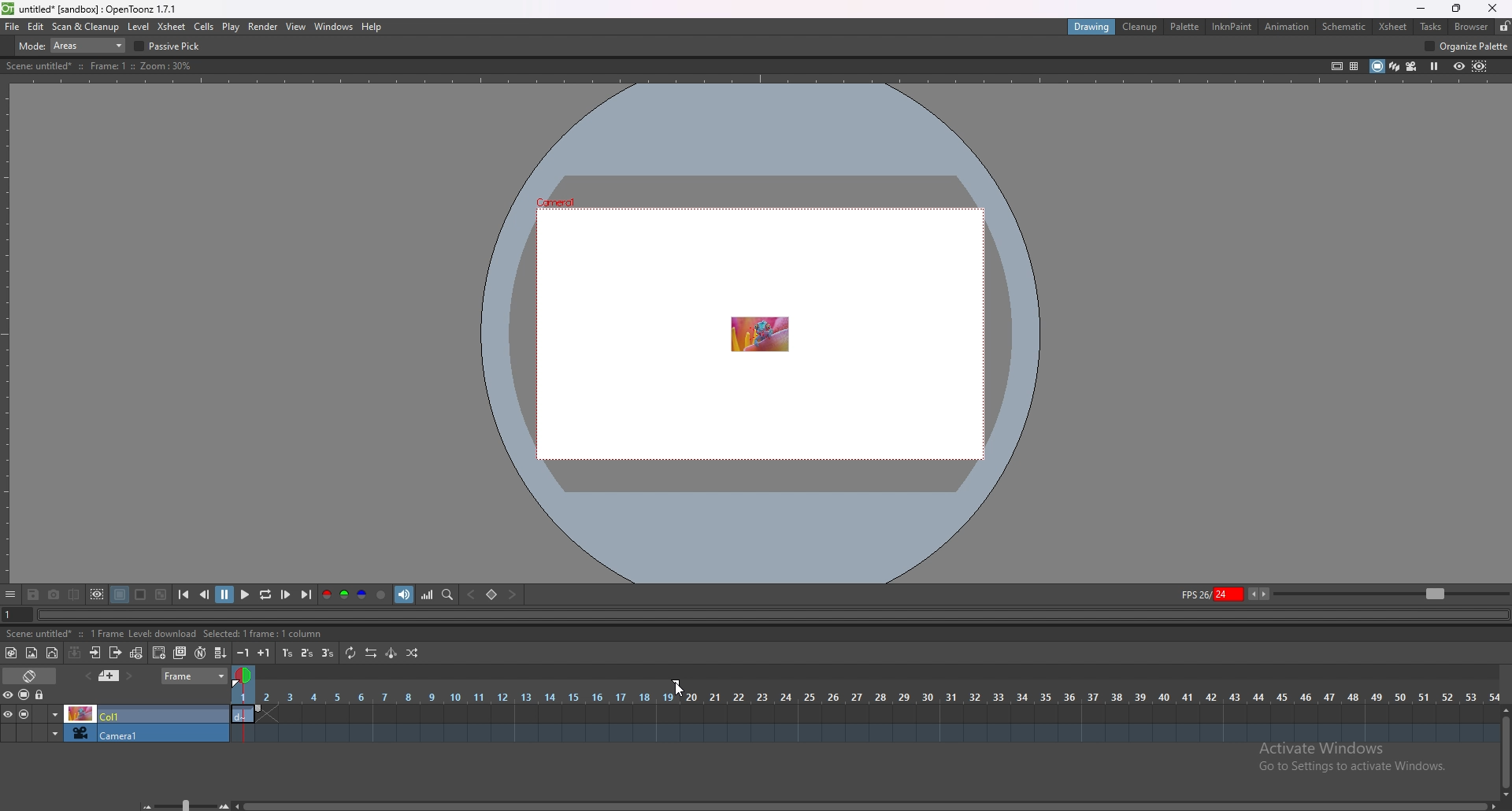 Image resolution: width=1512 pixels, height=811 pixels. I want to click on render, so click(264, 27).